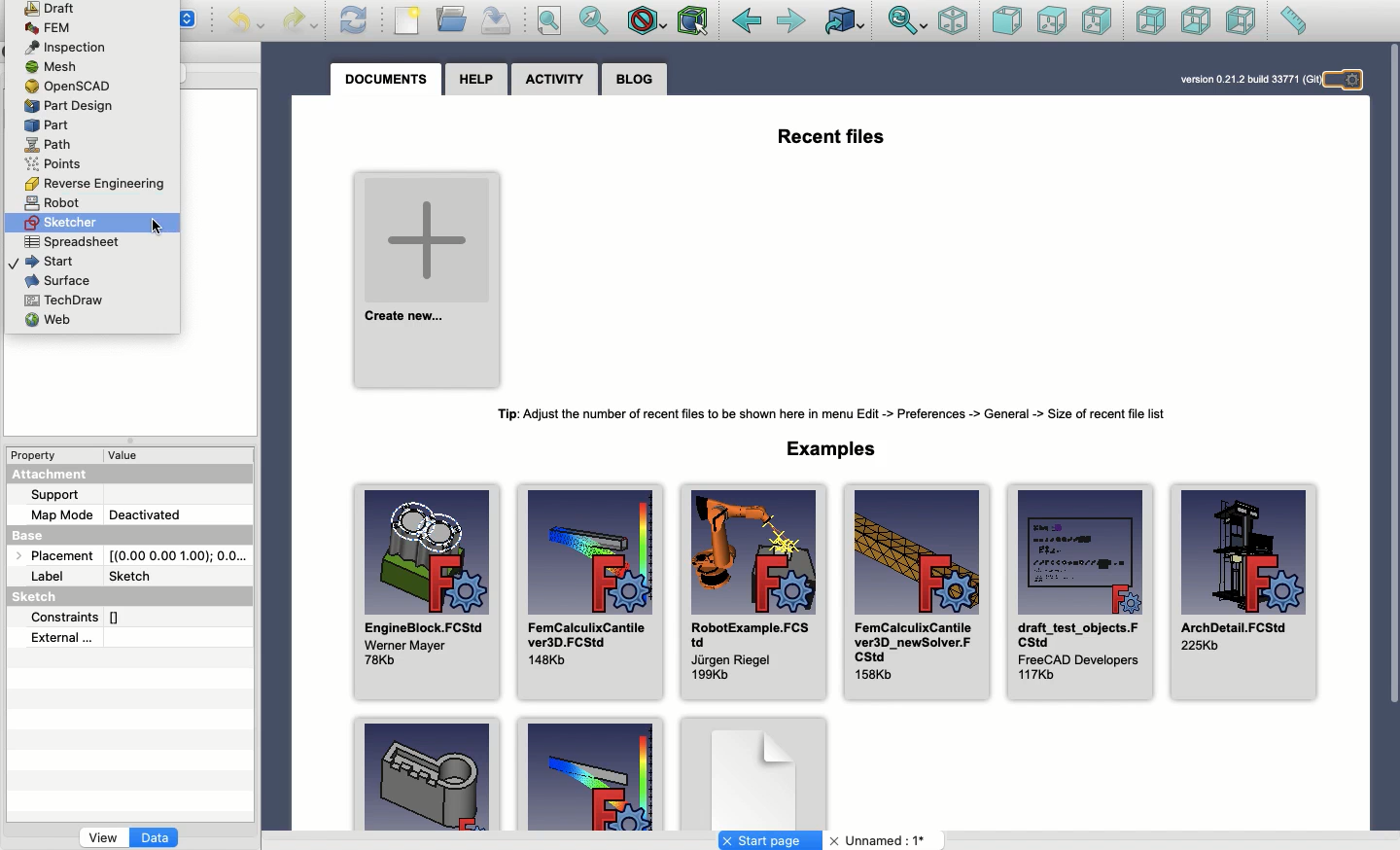 The height and width of the screenshot is (850, 1400). Describe the element at coordinates (1081, 593) in the screenshot. I see `draft_test_objects` at that location.